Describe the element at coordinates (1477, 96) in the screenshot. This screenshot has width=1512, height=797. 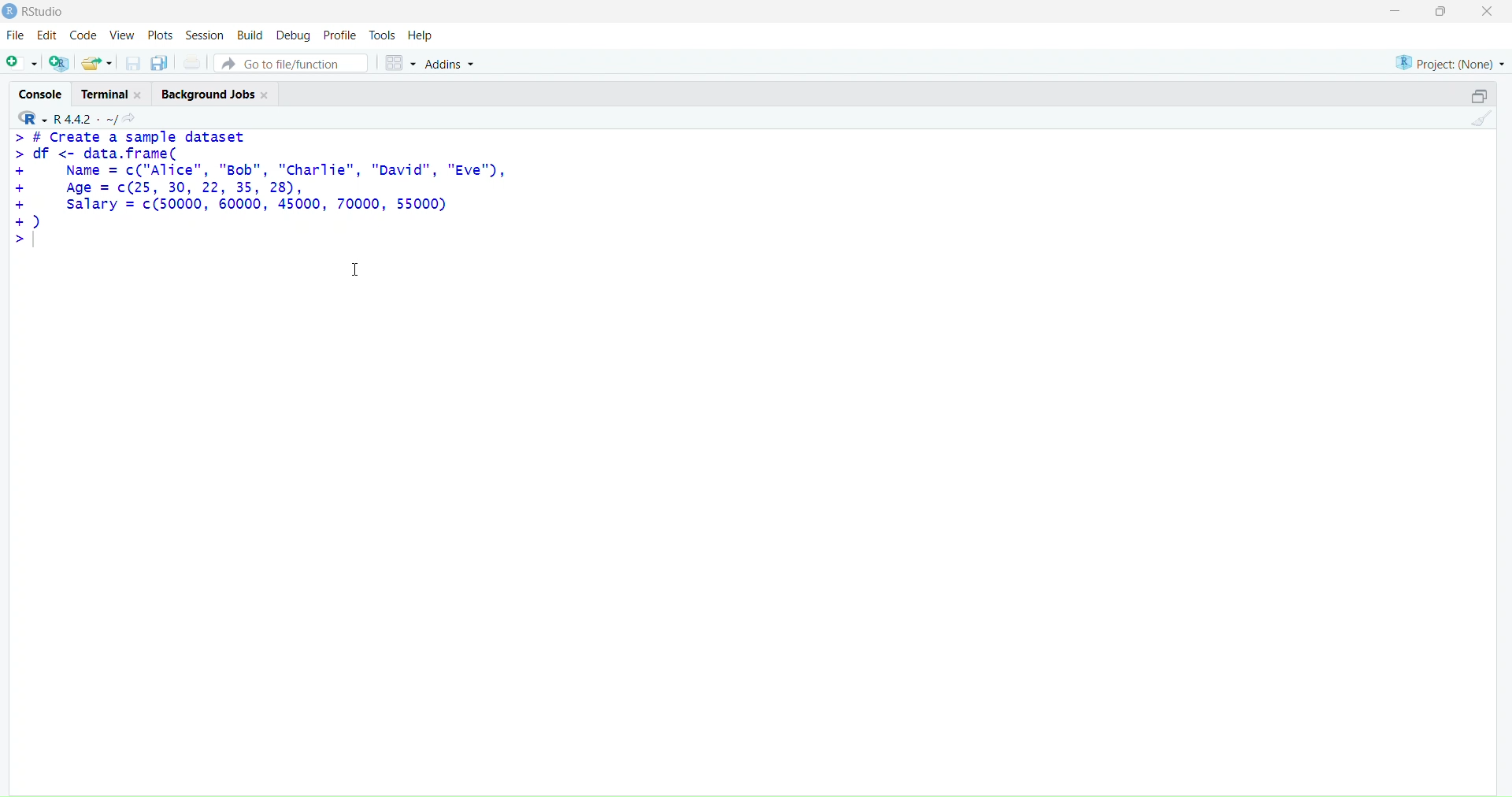
I see `collapse` at that location.